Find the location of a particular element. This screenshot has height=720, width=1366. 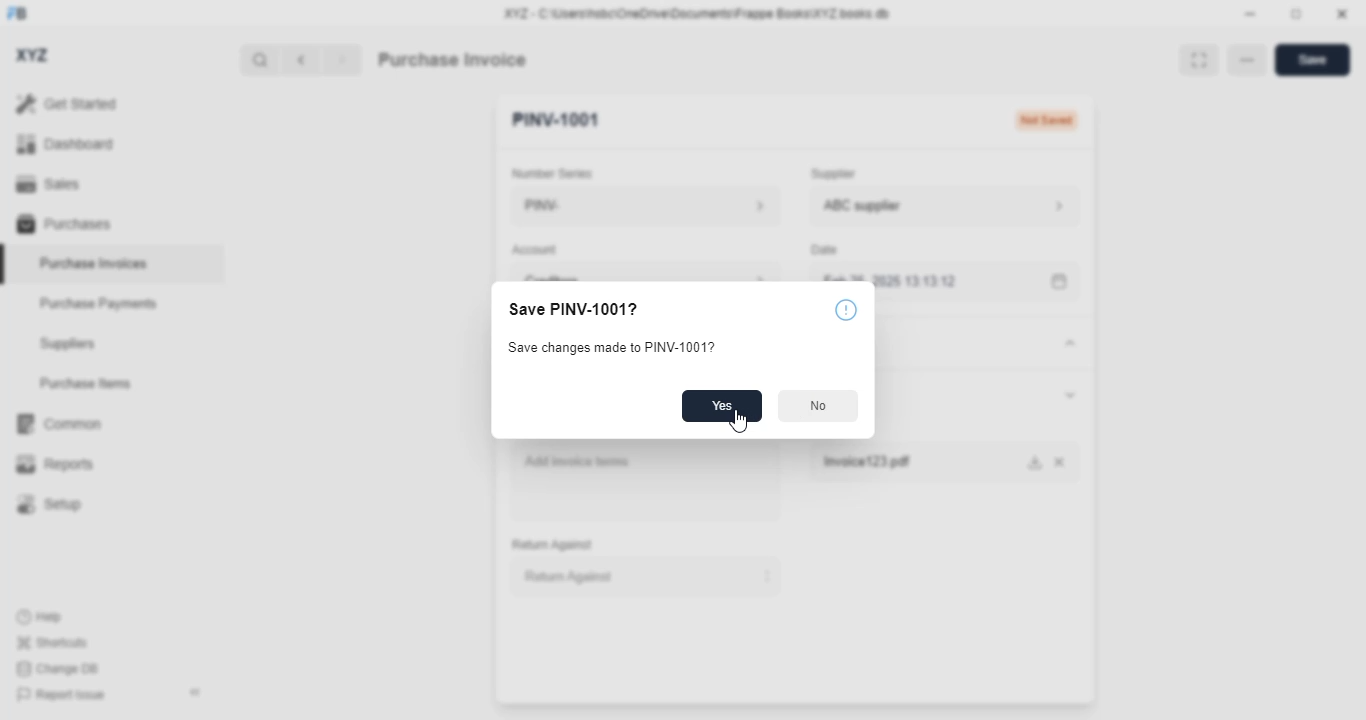

suppliers is located at coordinates (69, 344).